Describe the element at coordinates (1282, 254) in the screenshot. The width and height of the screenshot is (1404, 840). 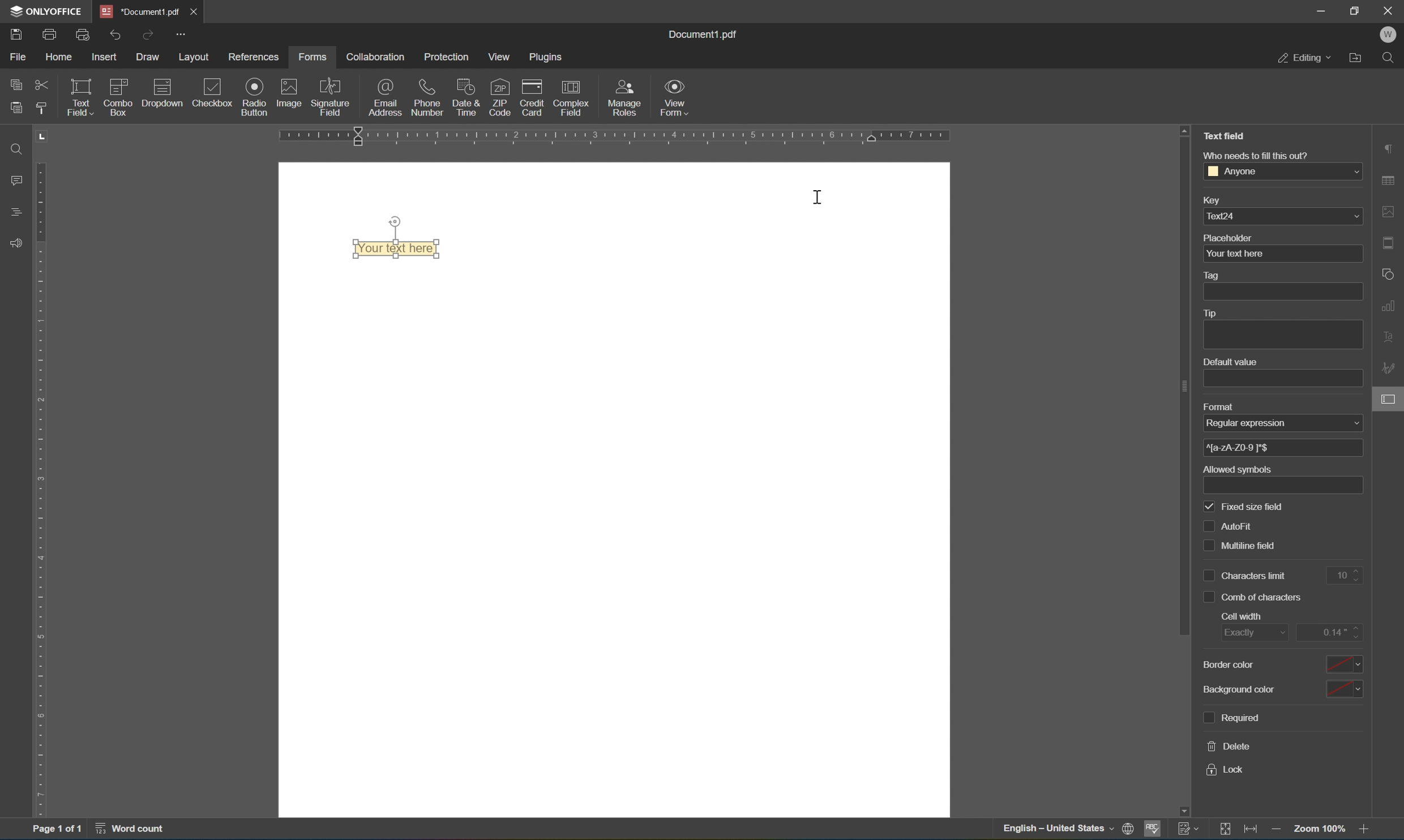
I see `your text here` at that location.